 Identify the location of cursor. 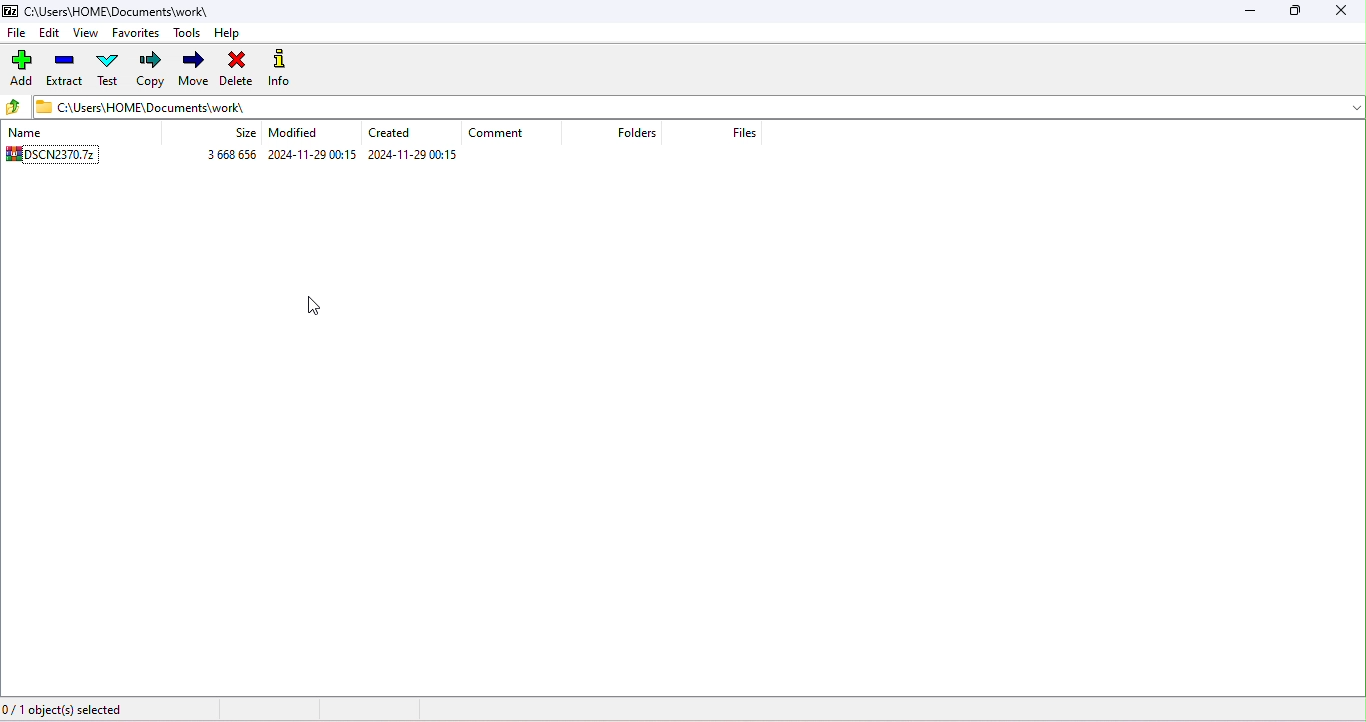
(318, 310).